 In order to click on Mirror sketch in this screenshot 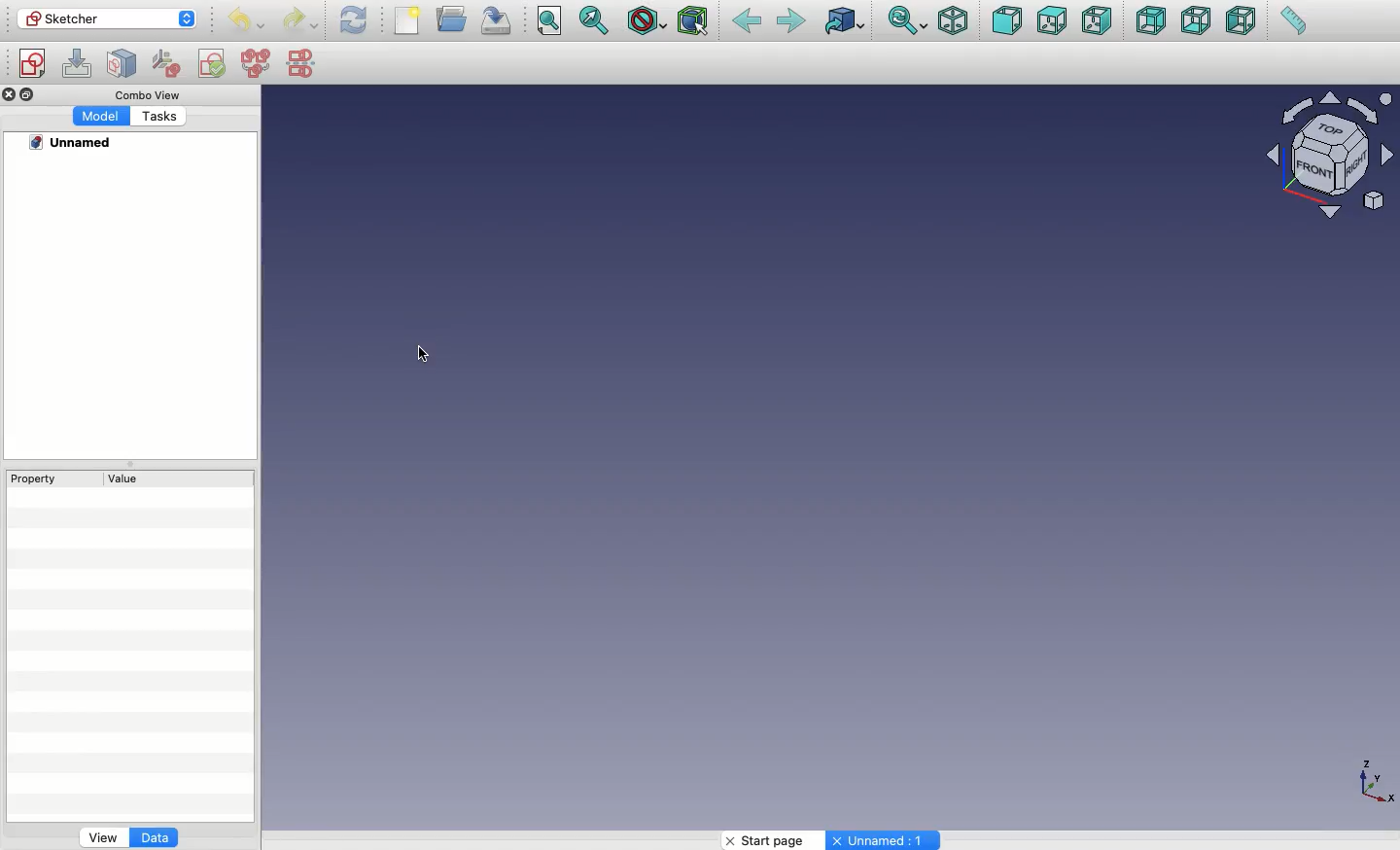, I will do `click(303, 64)`.